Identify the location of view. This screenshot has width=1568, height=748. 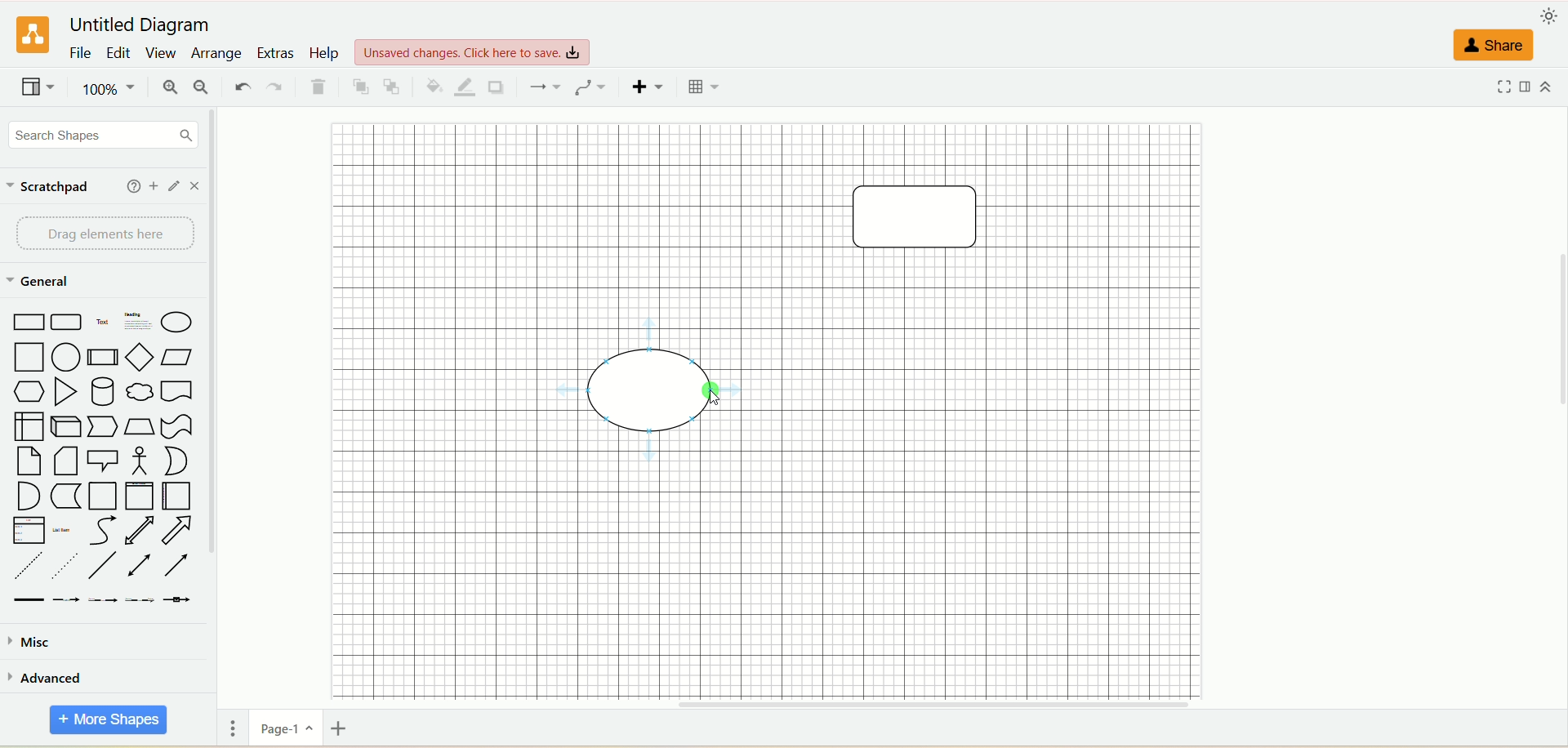
(474, 51).